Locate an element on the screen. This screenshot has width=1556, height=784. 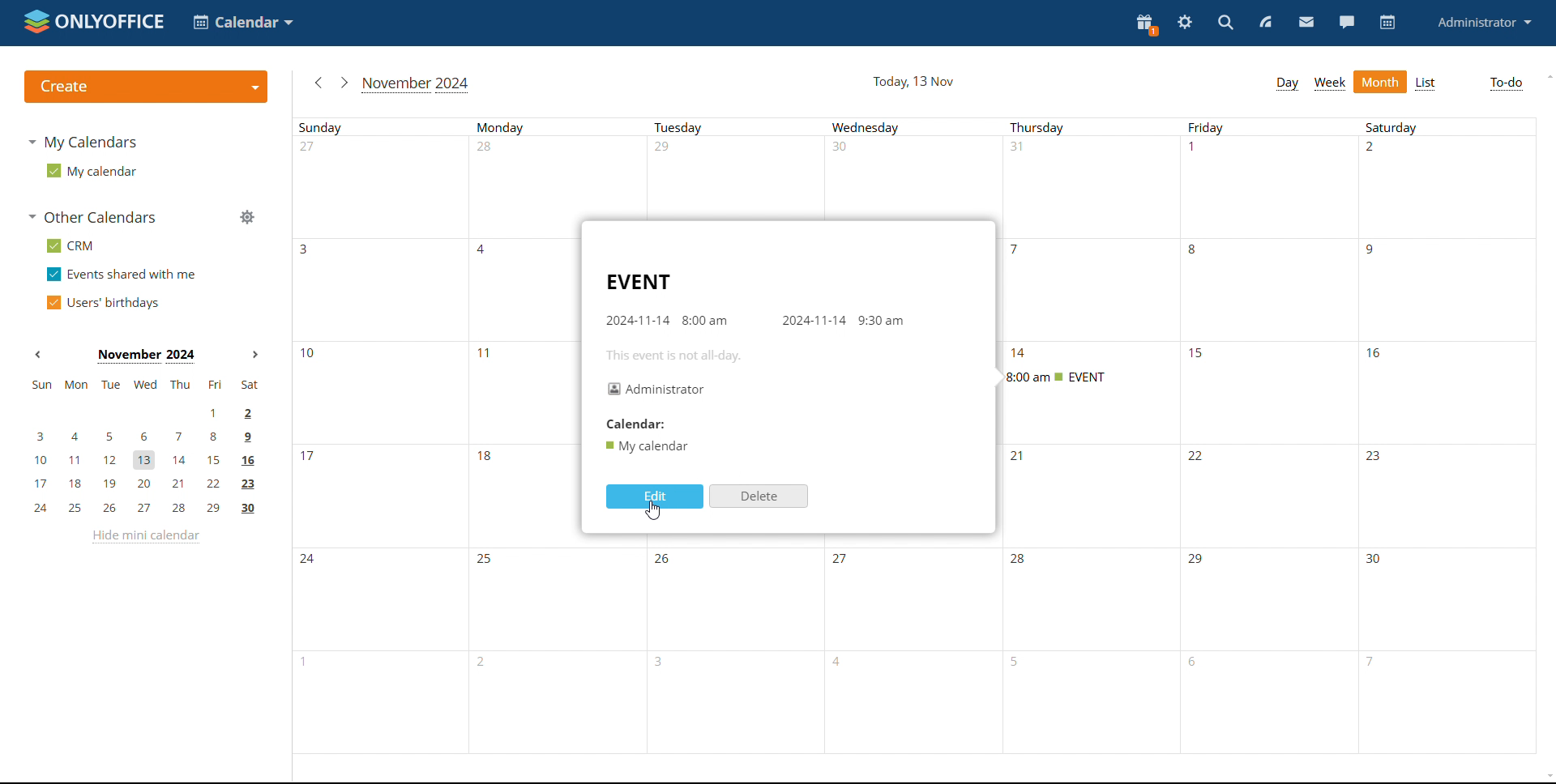
week view is located at coordinates (1331, 83).